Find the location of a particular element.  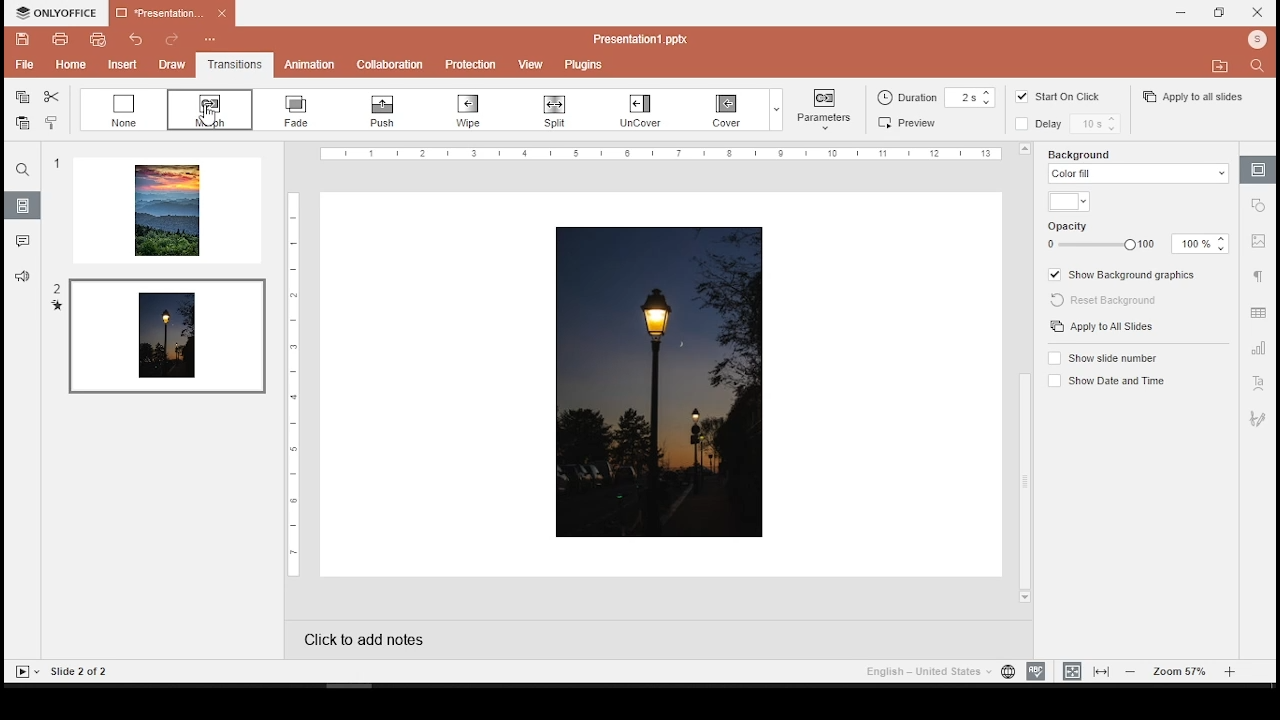

quick print is located at coordinates (93, 39).